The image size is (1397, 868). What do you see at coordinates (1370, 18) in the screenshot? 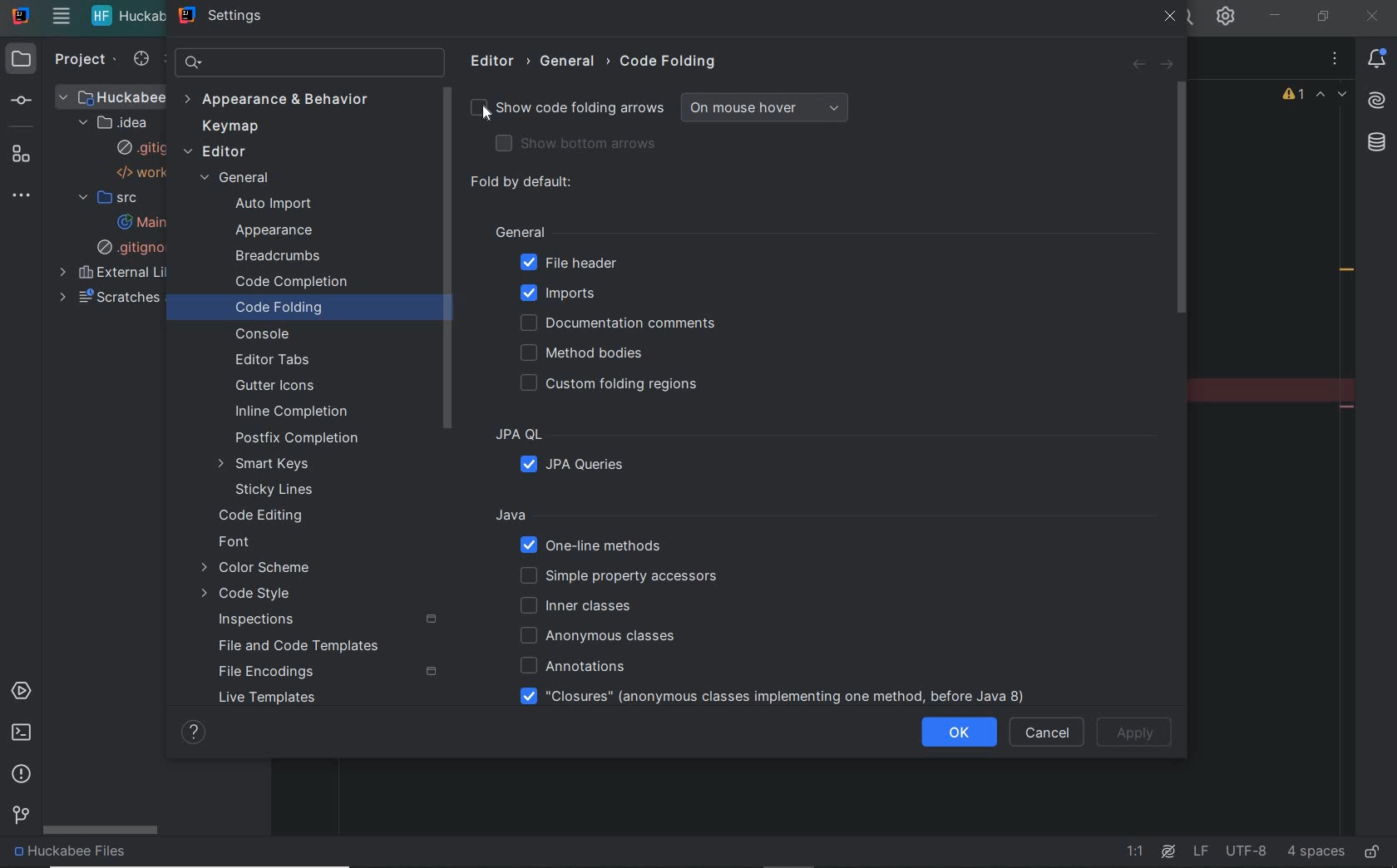
I see `close` at bounding box center [1370, 18].